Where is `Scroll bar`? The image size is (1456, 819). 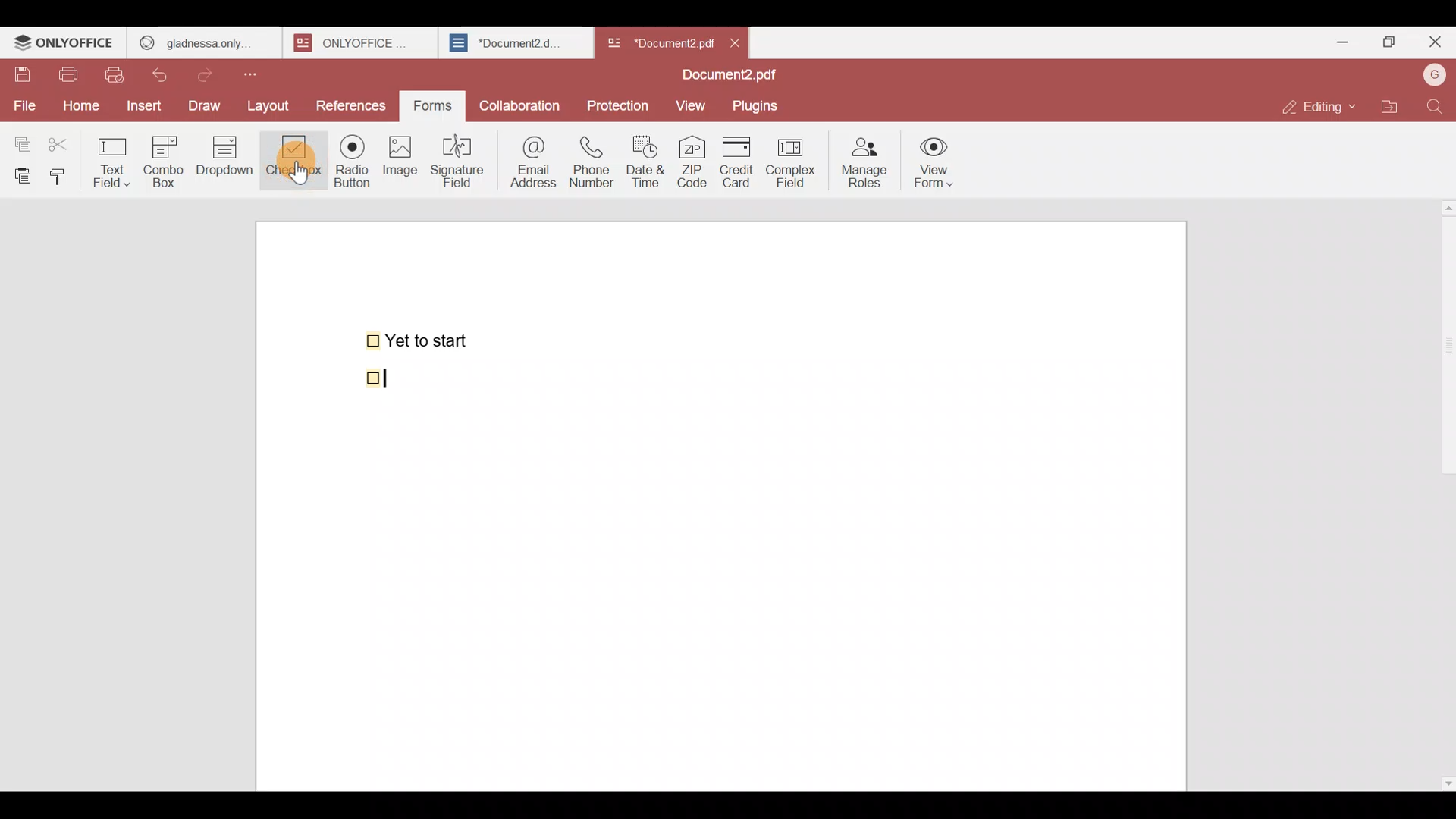
Scroll bar is located at coordinates (1443, 491).